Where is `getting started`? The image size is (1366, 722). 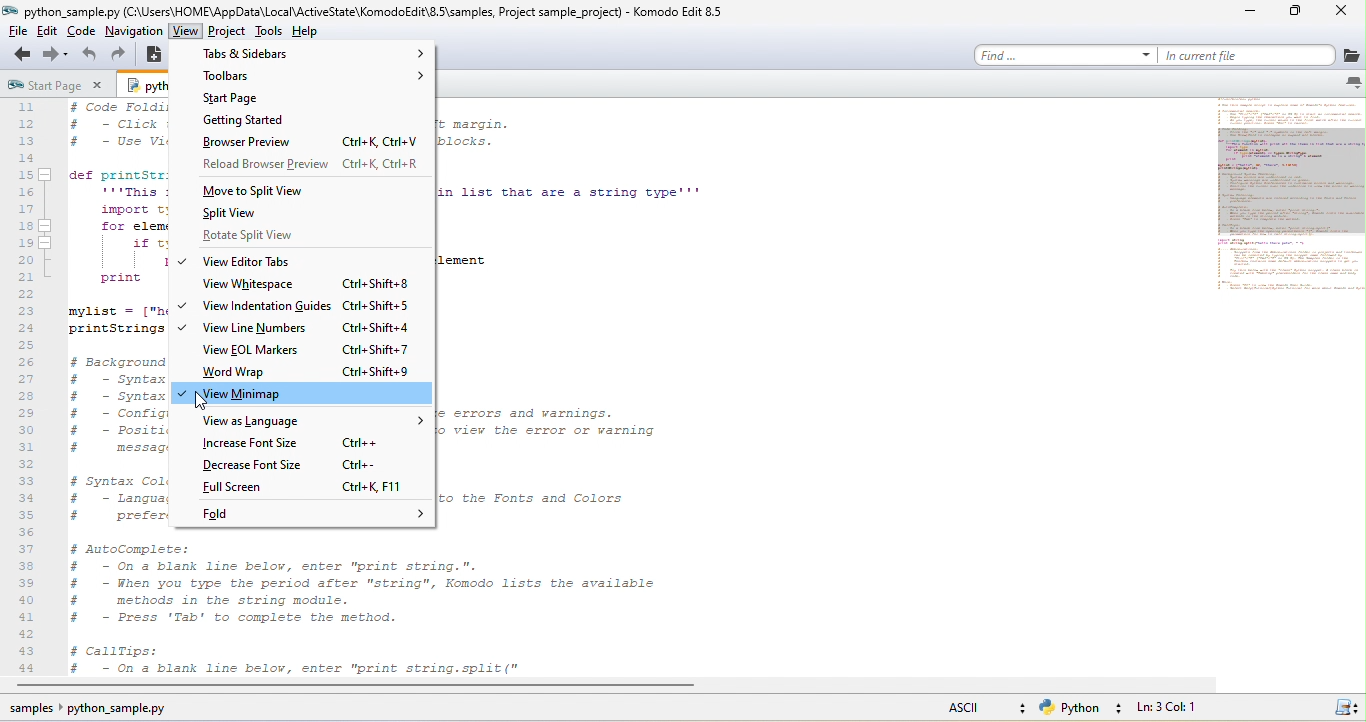 getting started is located at coordinates (260, 119).